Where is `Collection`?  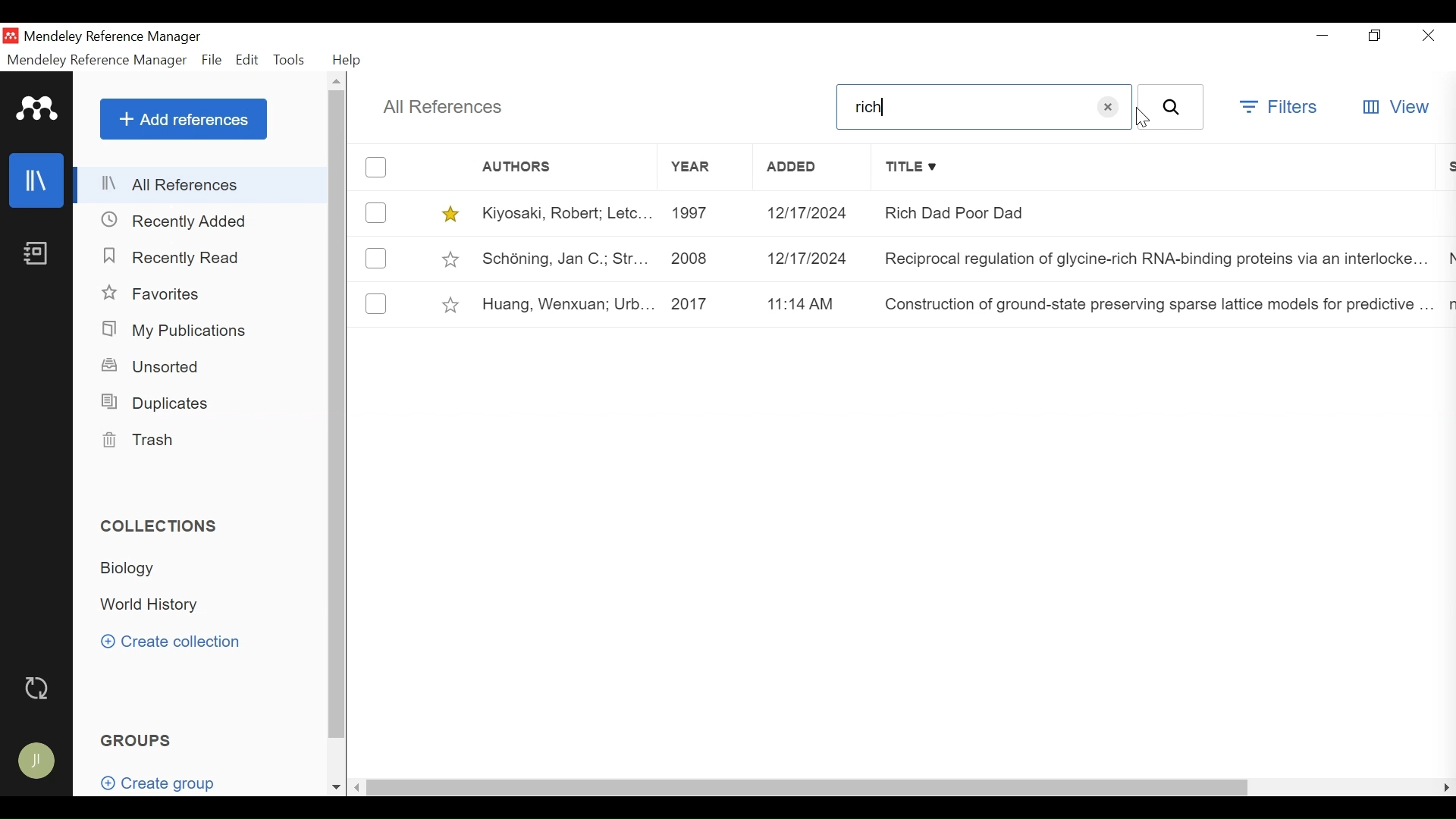 Collection is located at coordinates (138, 571).